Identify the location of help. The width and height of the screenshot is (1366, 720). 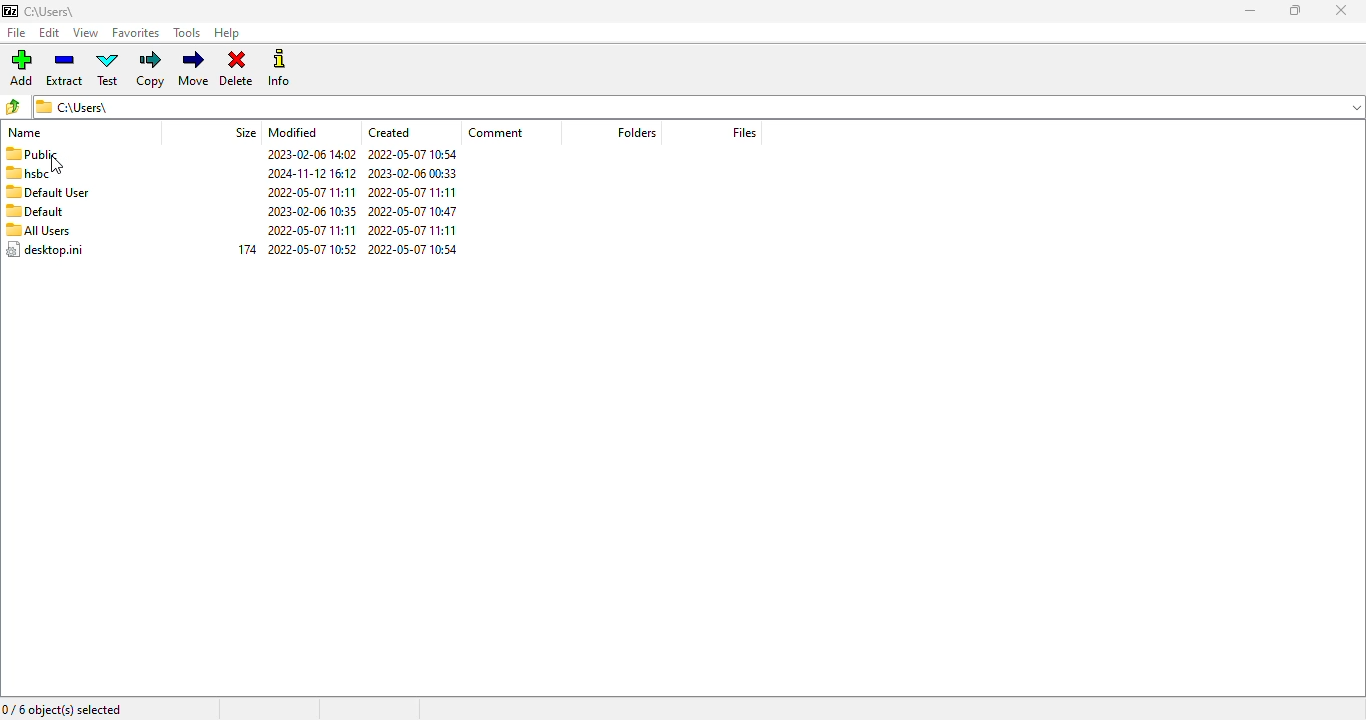
(227, 33).